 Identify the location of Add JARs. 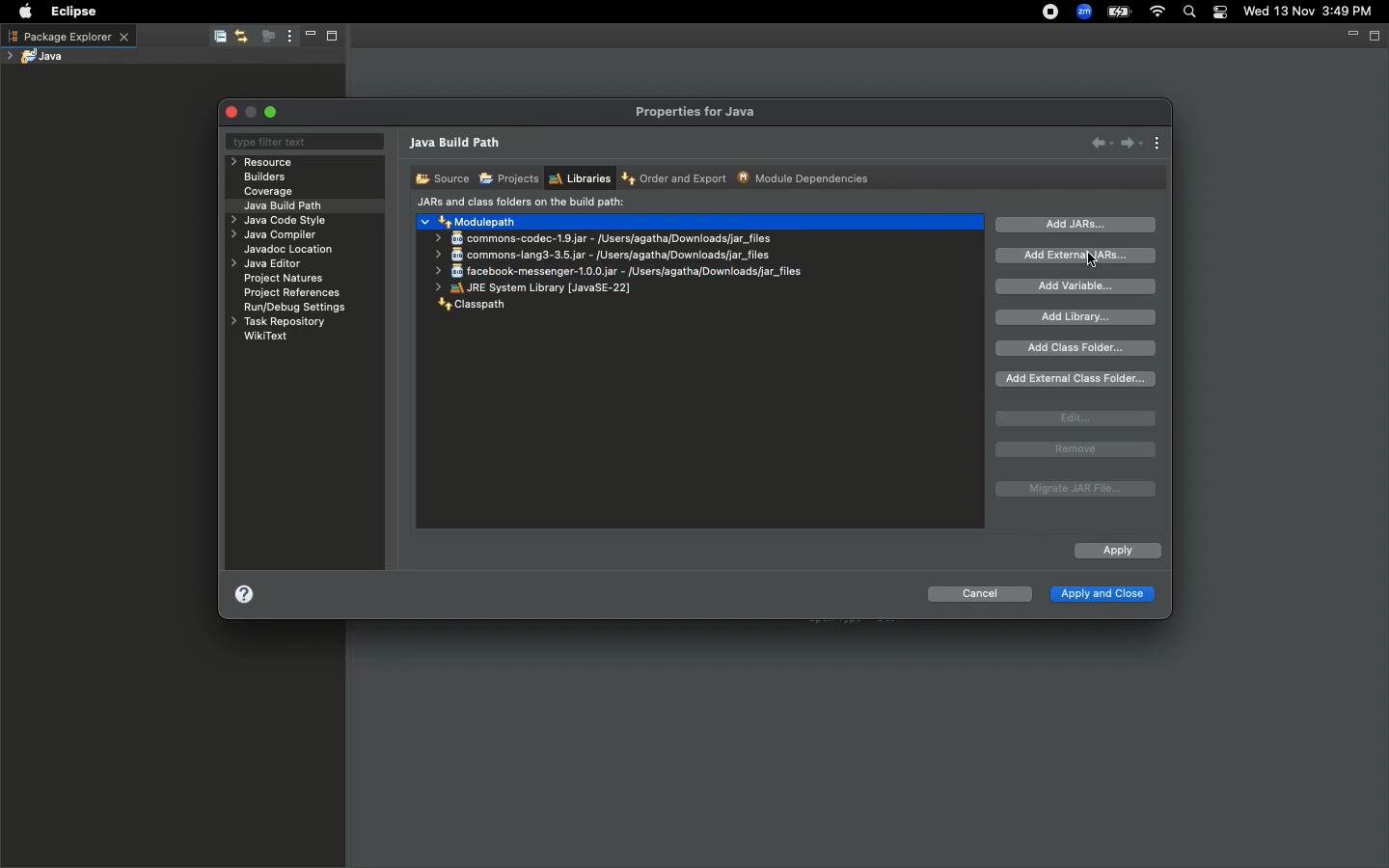
(1076, 225).